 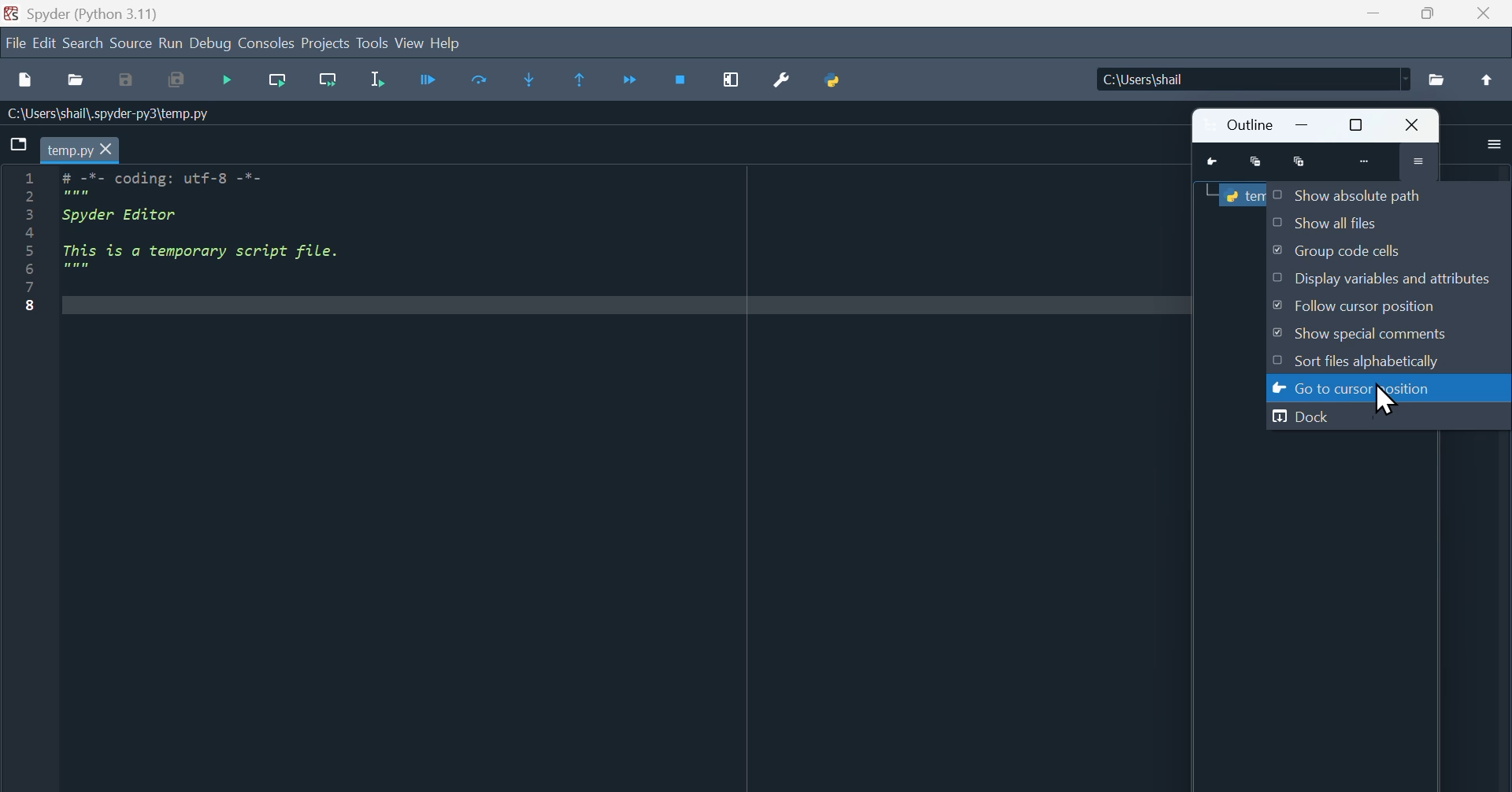 I want to click on Start debugging, so click(x=227, y=80).